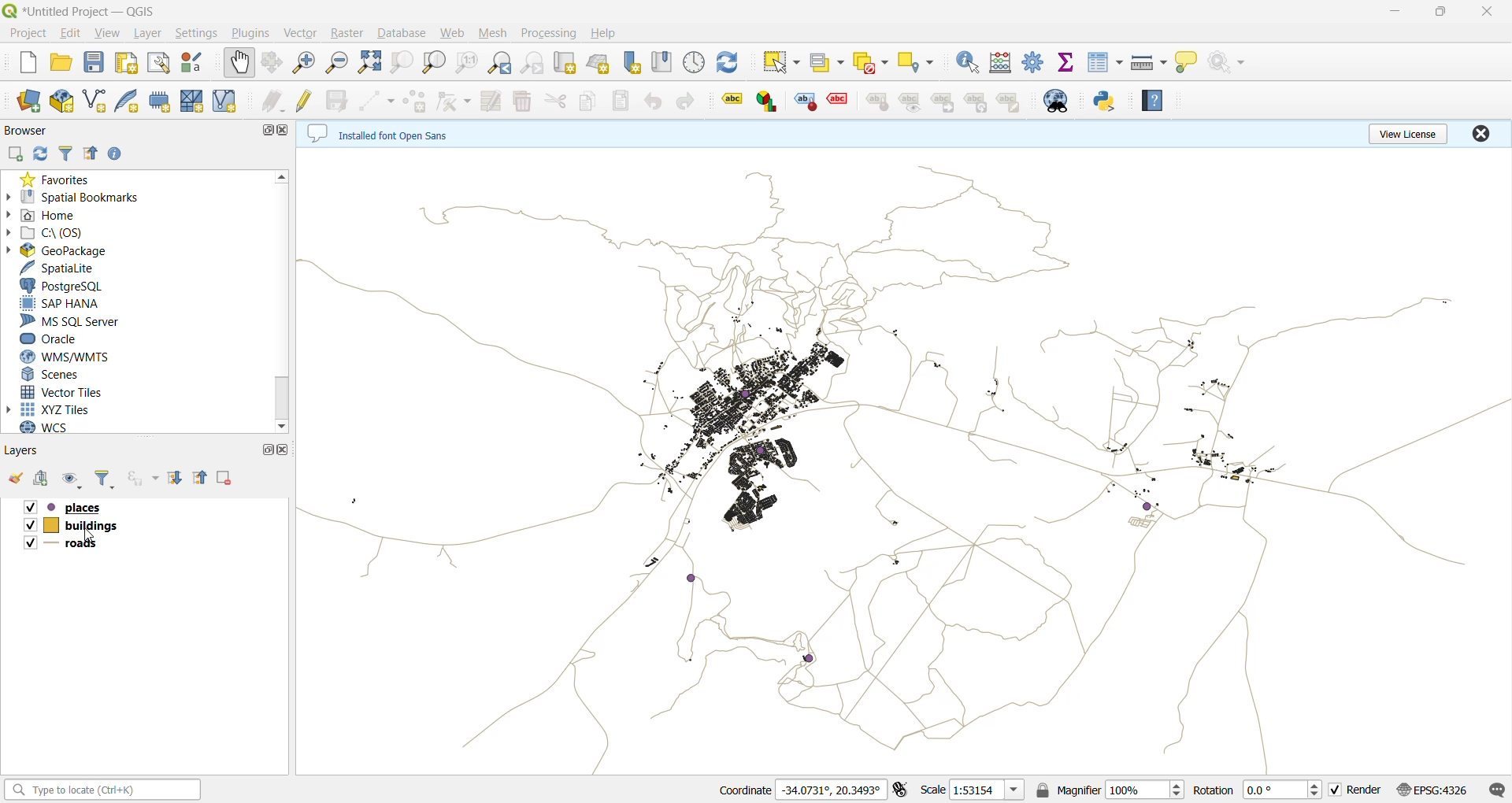 Image resolution: width=1512 pixels, height=803 pixels. I want to click on edit, so click(72, 35).